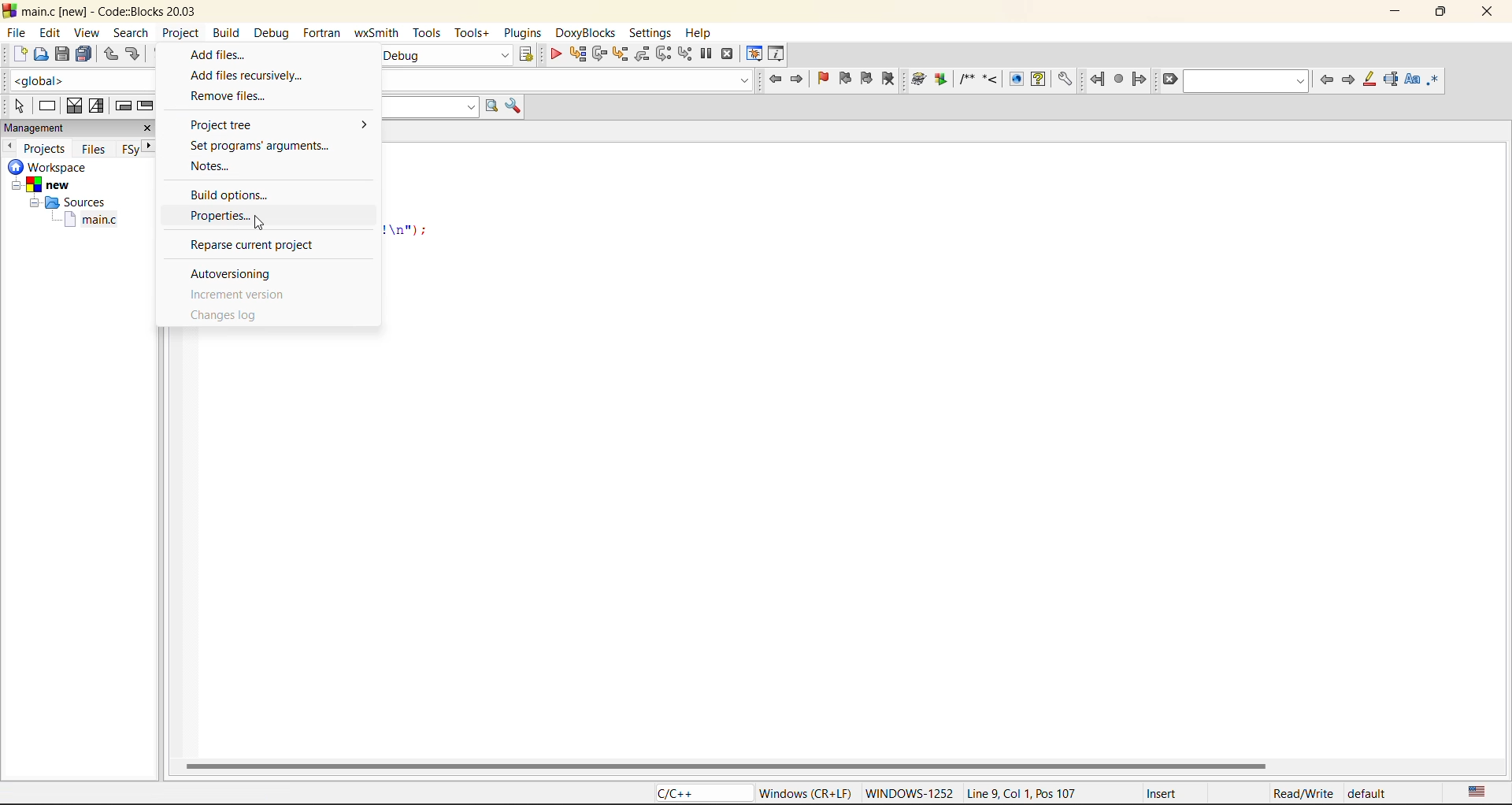  Describe the element at coordinates (1444, 14) in the screenshot. I see `maximize` at that location.